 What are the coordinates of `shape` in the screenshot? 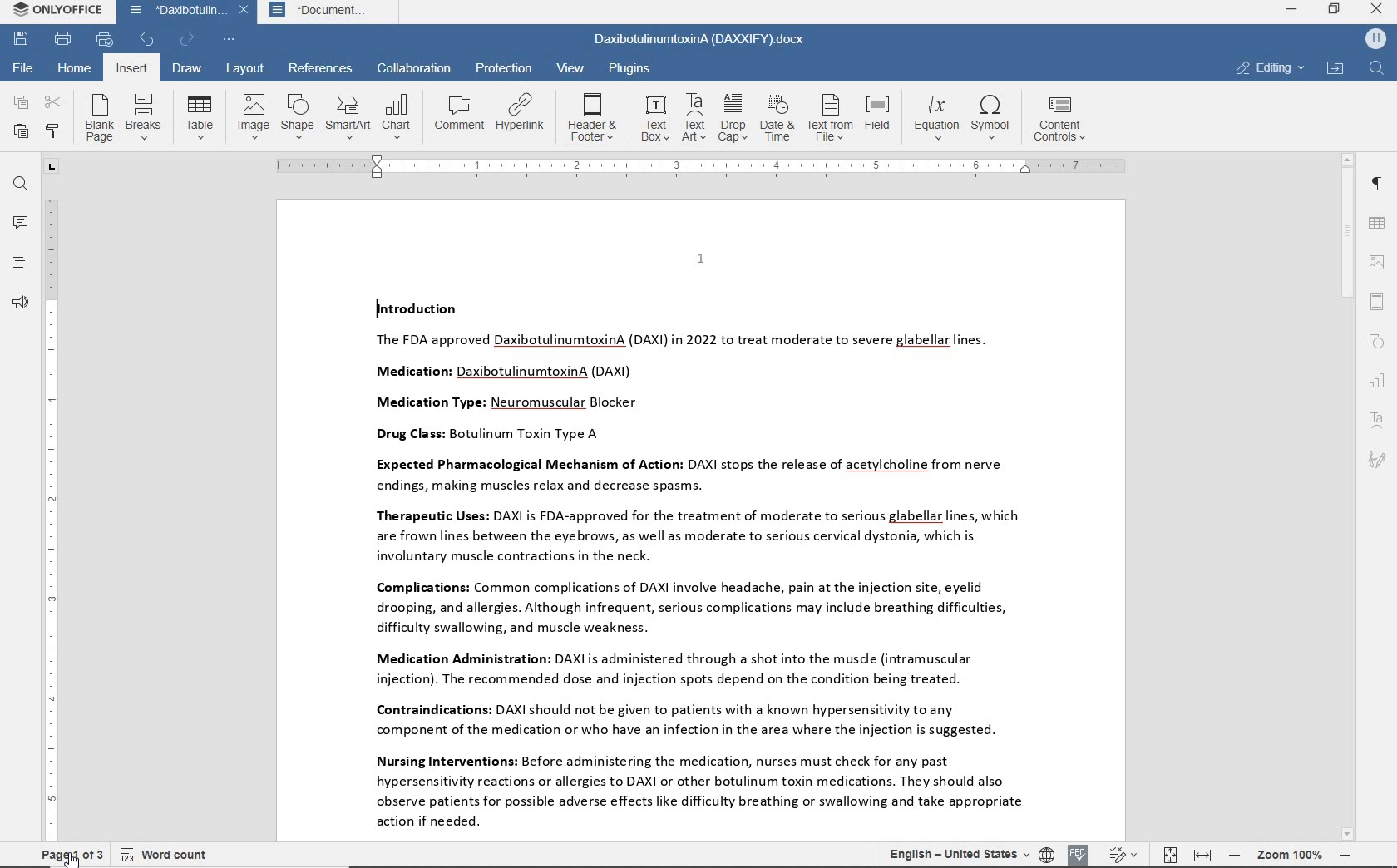 It's located at (1377, 343).